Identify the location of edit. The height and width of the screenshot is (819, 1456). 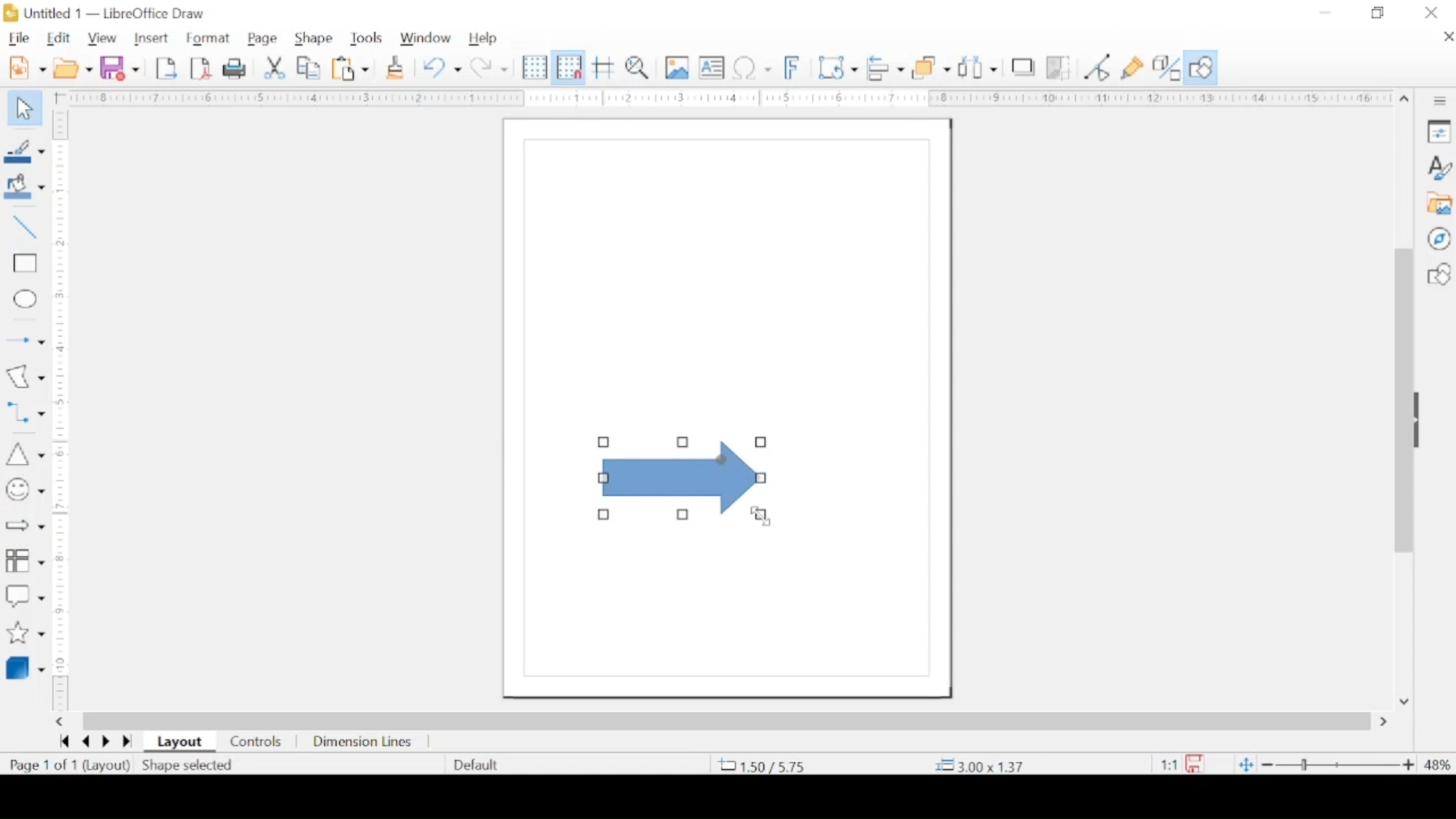
(60, 39).